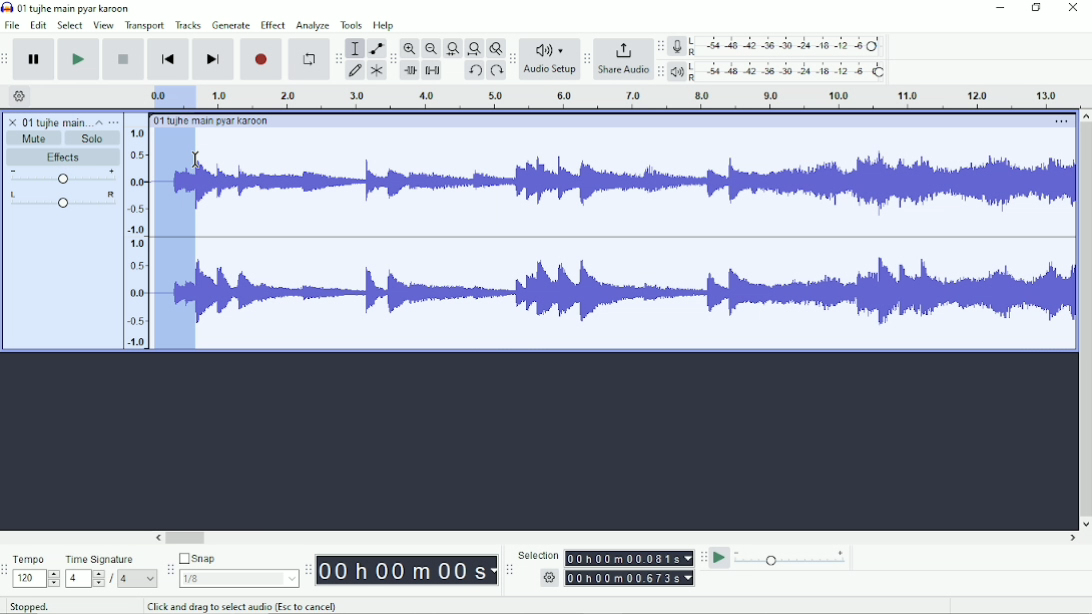 The image size is (1092, 614). Describe the element at coordinates (78, 59) in the screenshot. I see `Play` at that location.